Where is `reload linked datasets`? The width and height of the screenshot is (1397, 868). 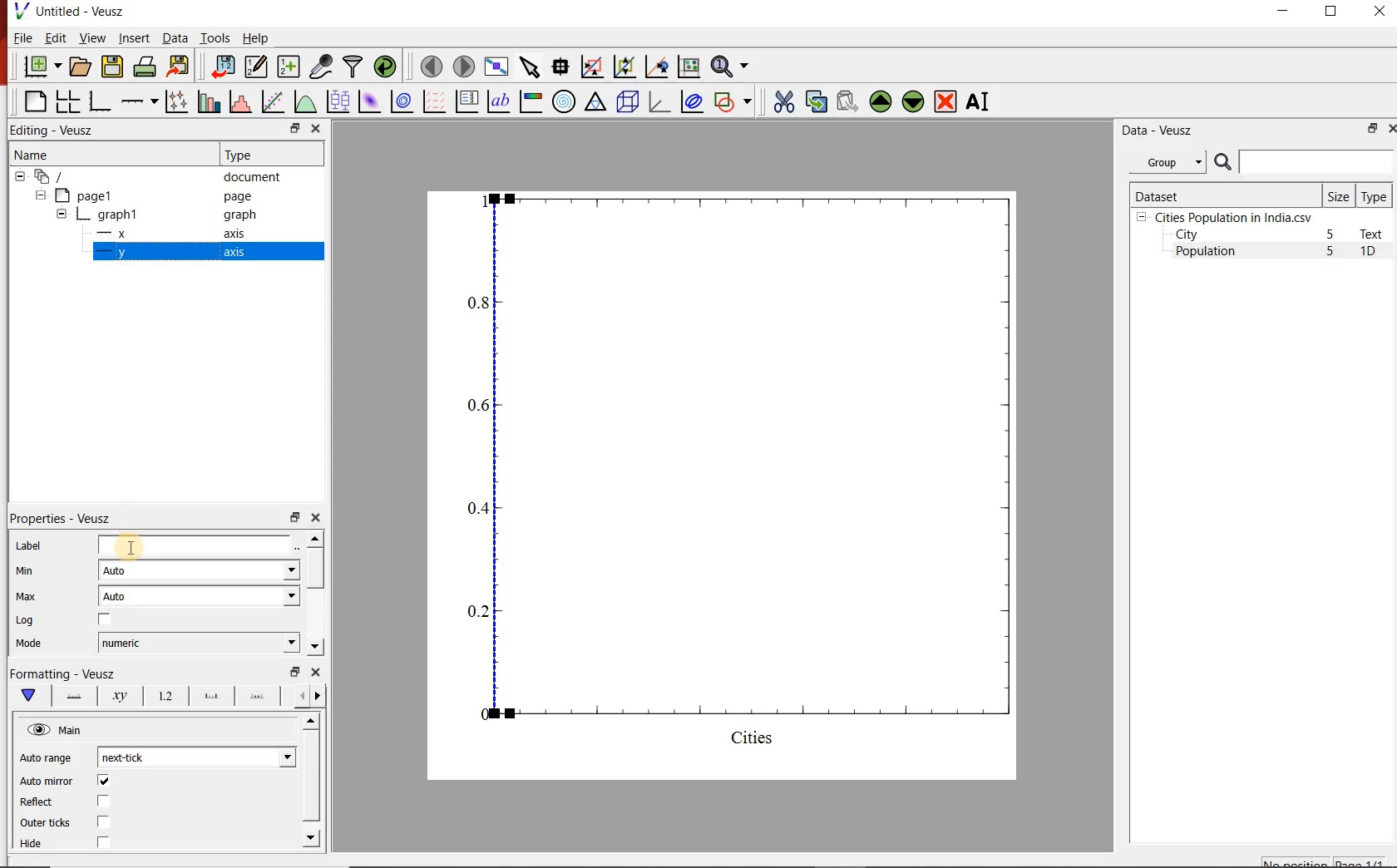 reload linked datasets is located at coordinates (384, 67).